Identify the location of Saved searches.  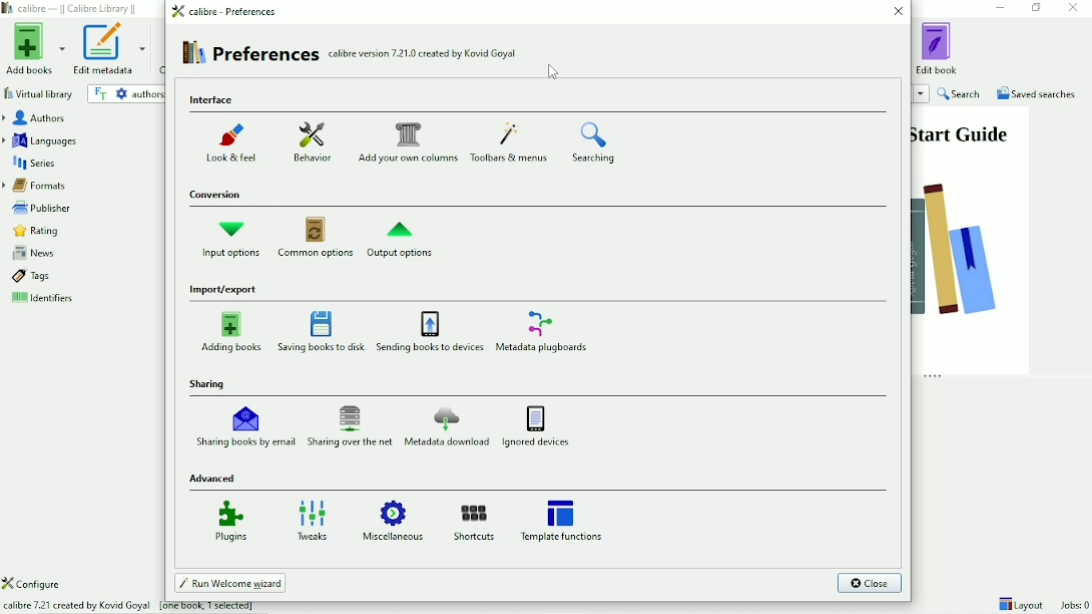
(1037, 93).